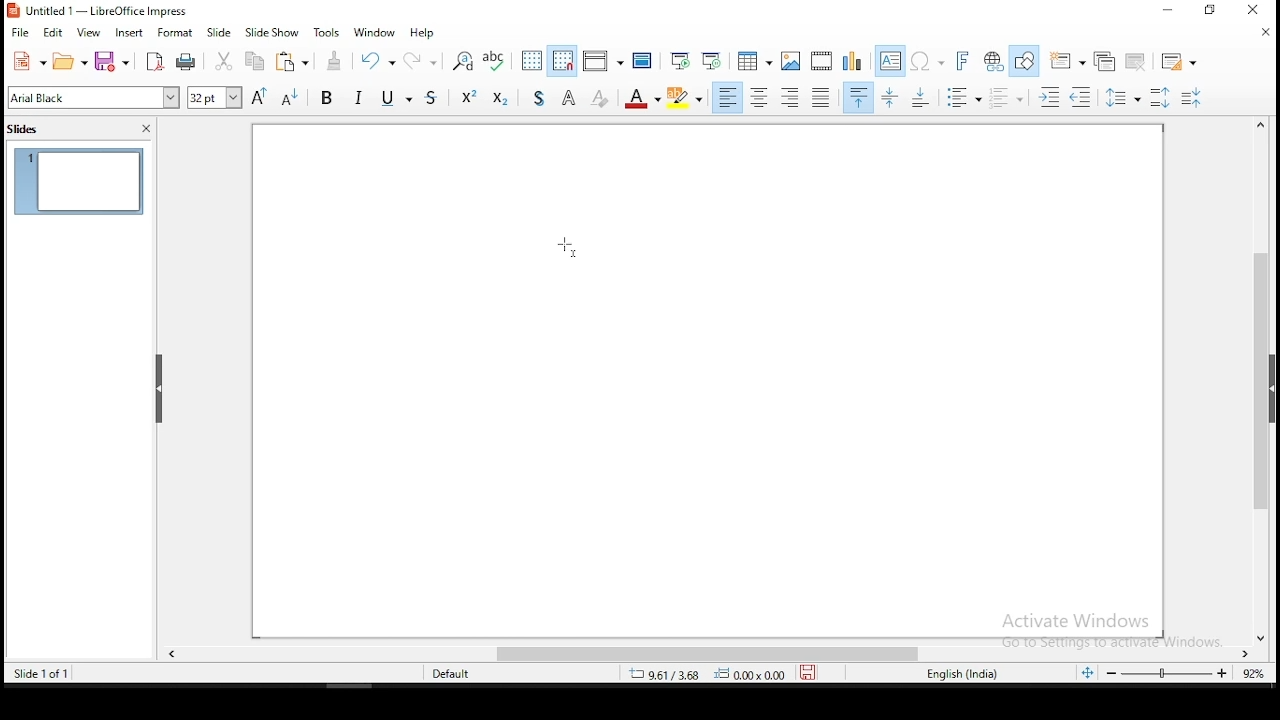  I want to click on open, so click(70, 61).